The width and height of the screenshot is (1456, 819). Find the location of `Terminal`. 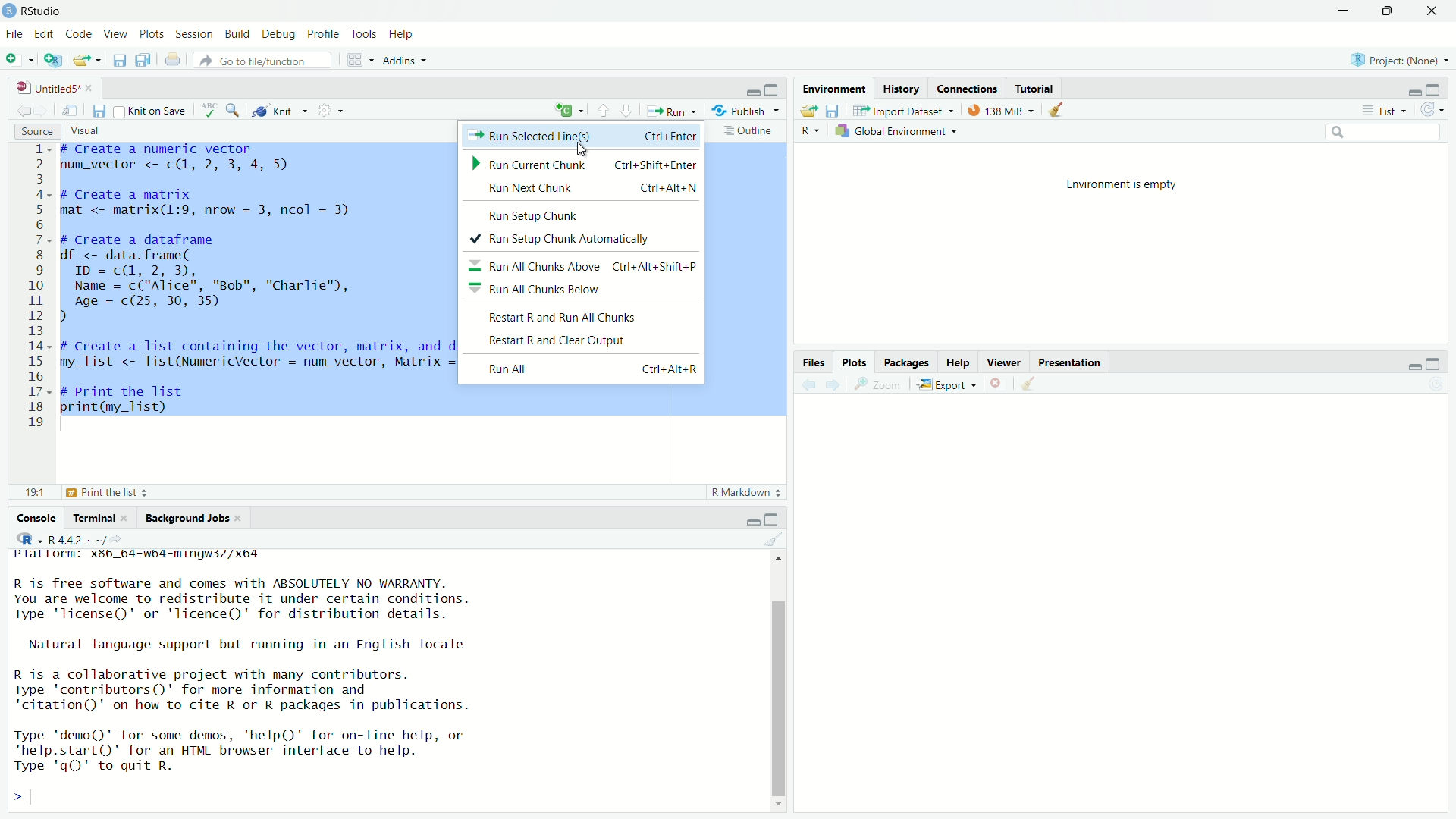

Terminal is located at coordinates (99, 516).